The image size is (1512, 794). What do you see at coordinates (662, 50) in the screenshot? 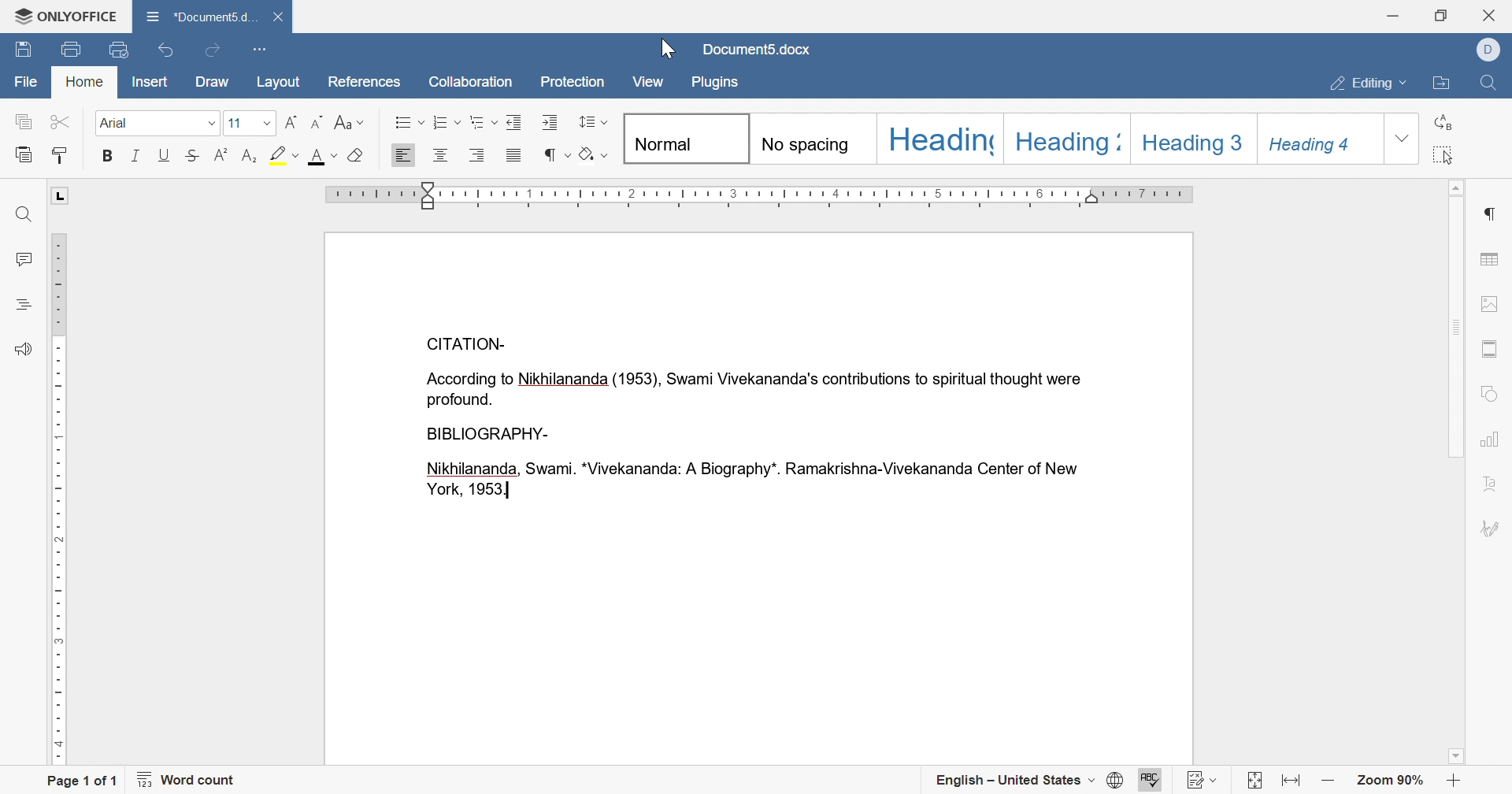
I see `cursor` at bounding box center [662, 50].